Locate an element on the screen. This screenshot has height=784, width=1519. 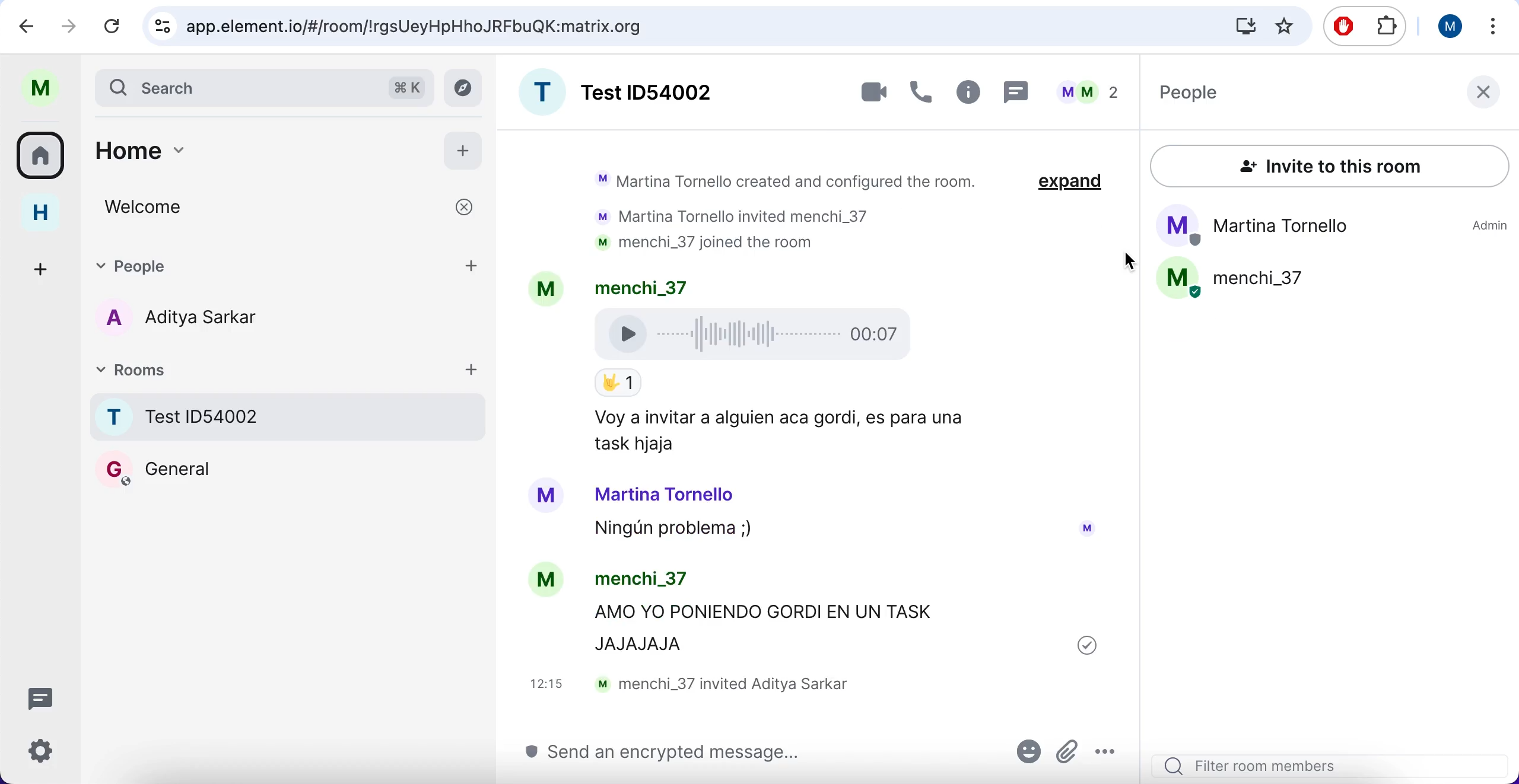
Voy a Invitar a alguien aca gordi, es para una
task hjaja is located at coordinates (787, 430).